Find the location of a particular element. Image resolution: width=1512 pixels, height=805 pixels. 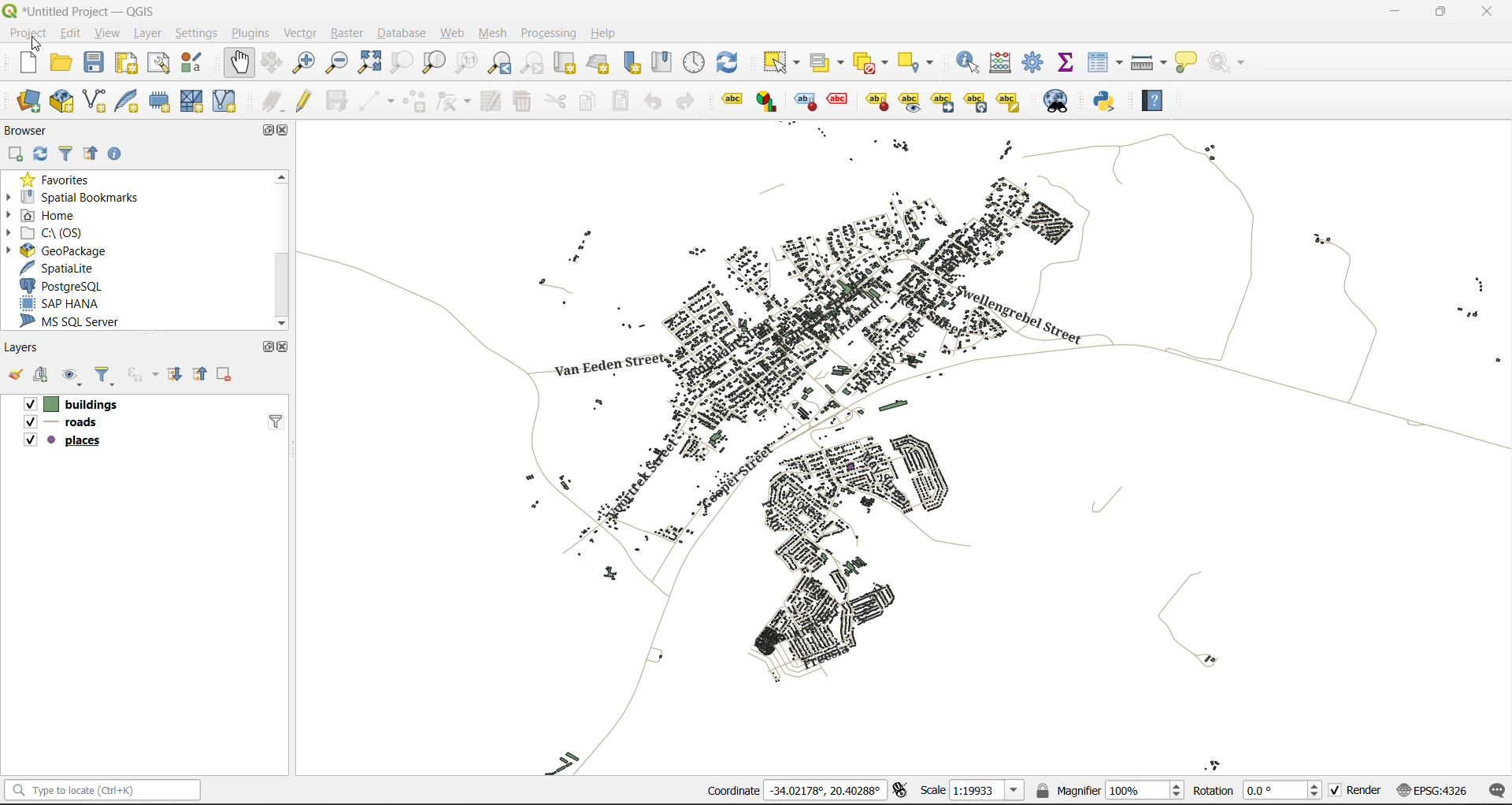

temporary scratch layer is located at coordinates (161, 102).